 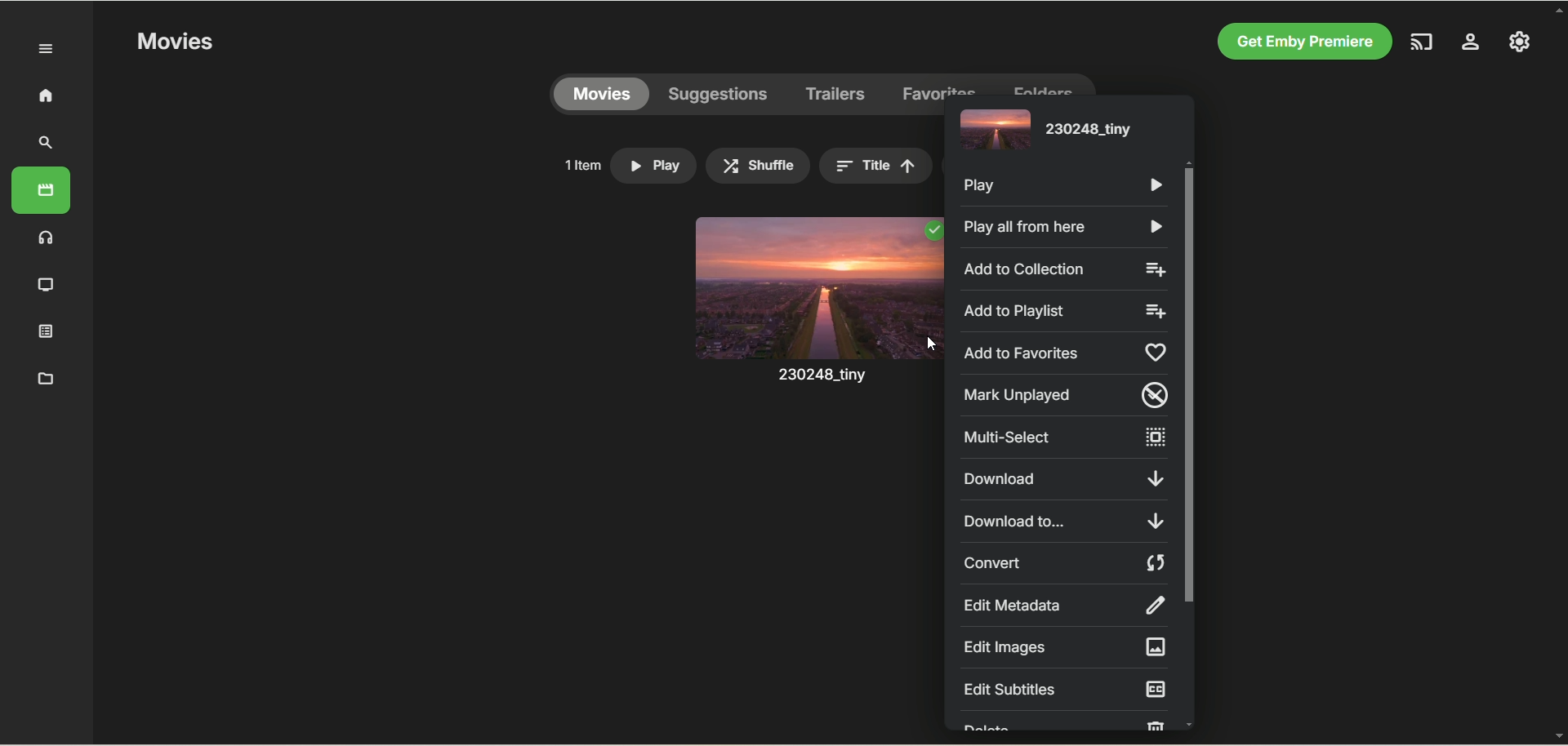 I want to click on edit subtitles, so click(x=1065, y=689).